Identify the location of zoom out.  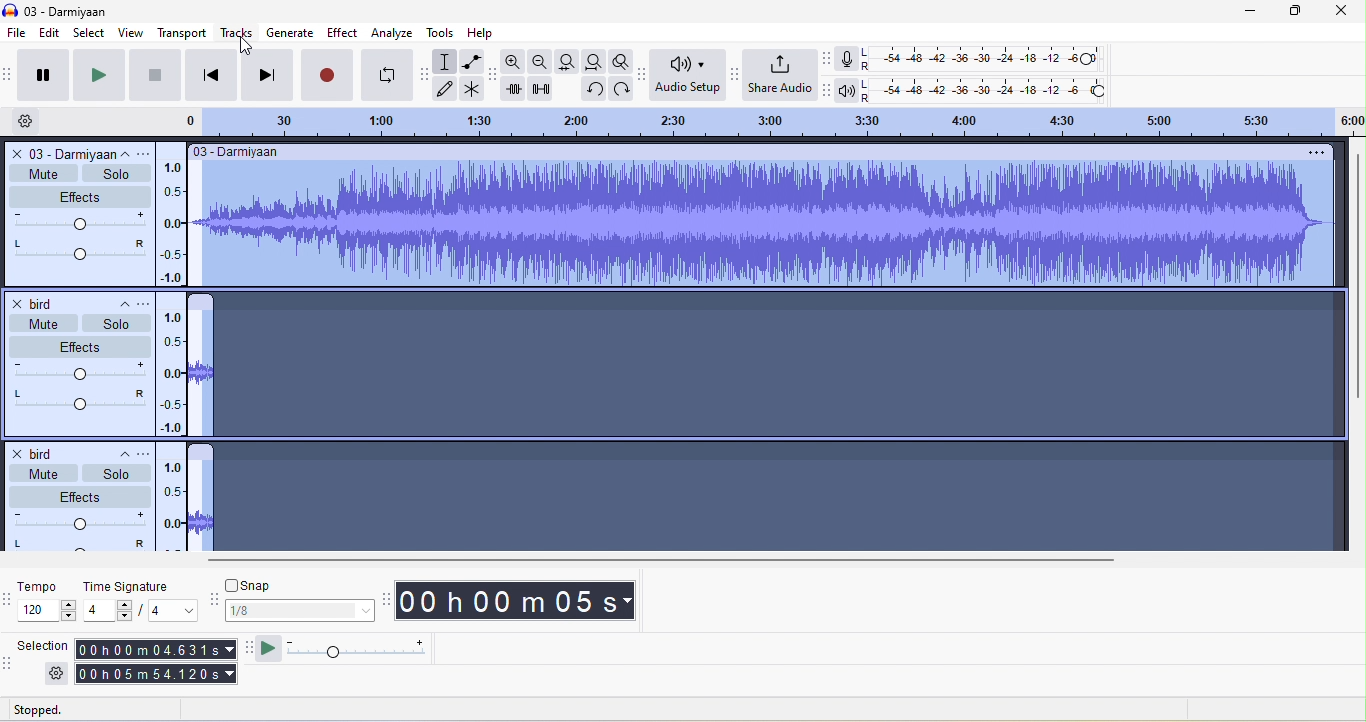
(542, 62).